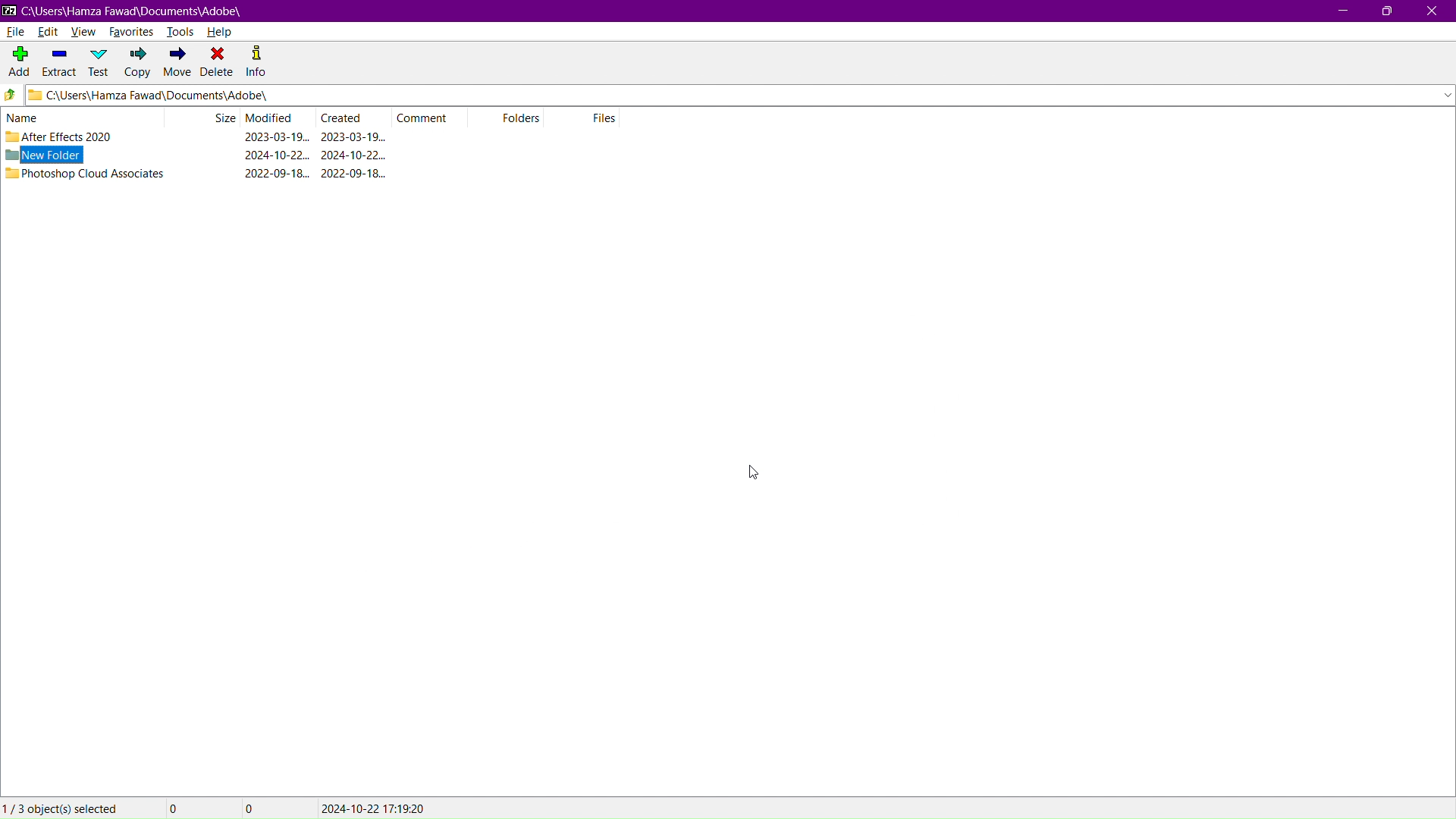 This screenshot has width=1456, height=819. What do you see at coordinates (71, 136) in the screenshot?
I see `After Effects 2020` at bounding box center [71, 136].